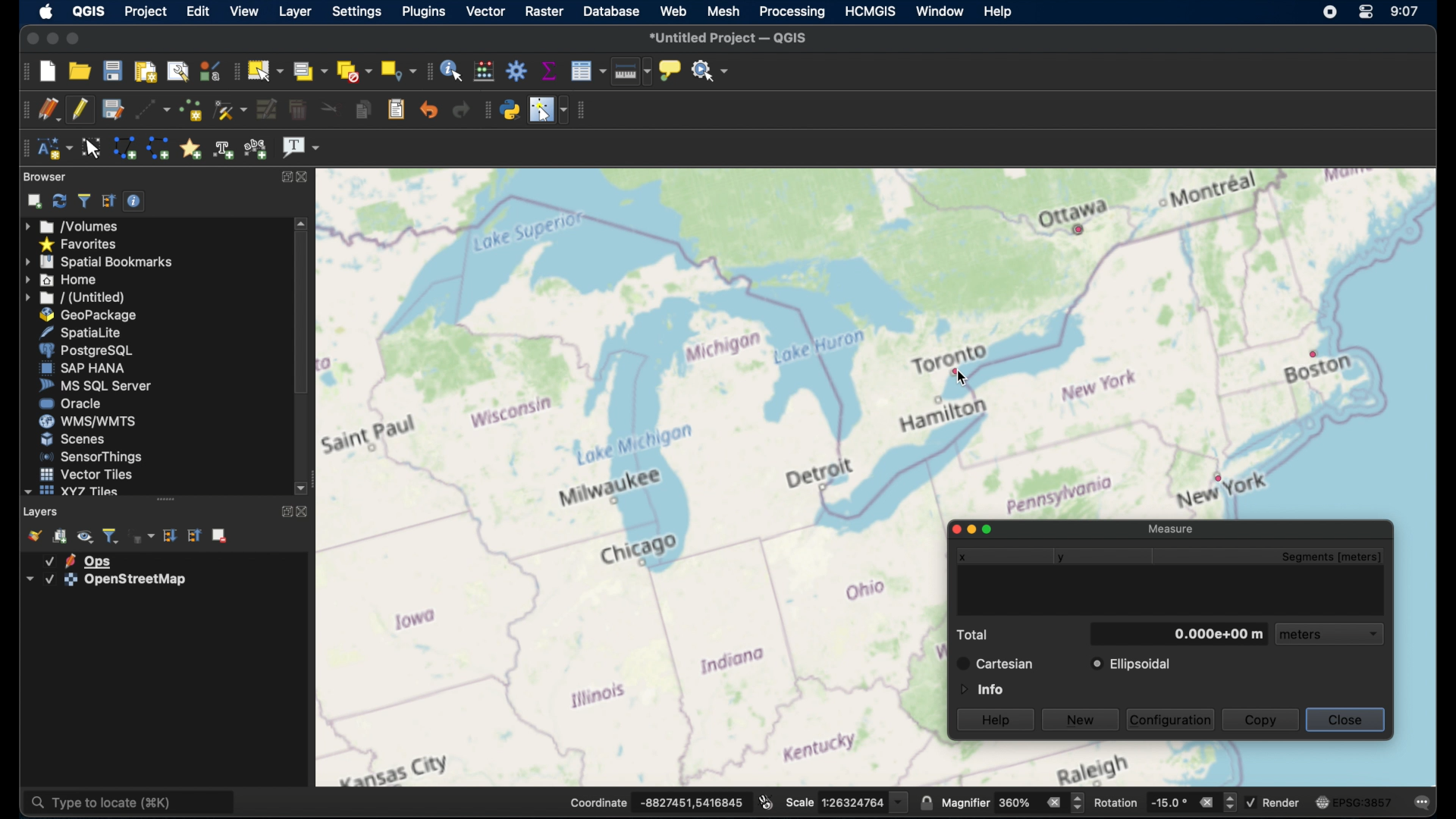  Describe the element at coordinates (453, 69) in the screenshot. I see `identify features` at that location.